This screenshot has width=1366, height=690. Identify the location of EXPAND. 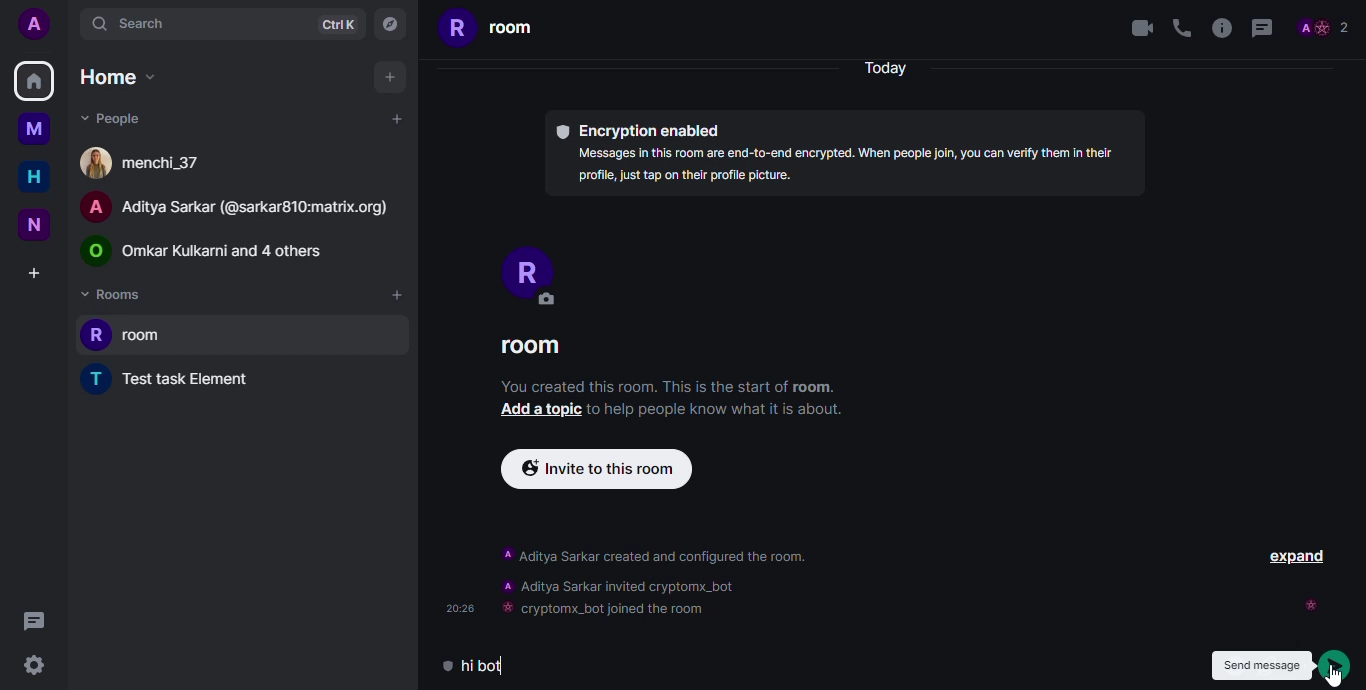
(1296, 554).